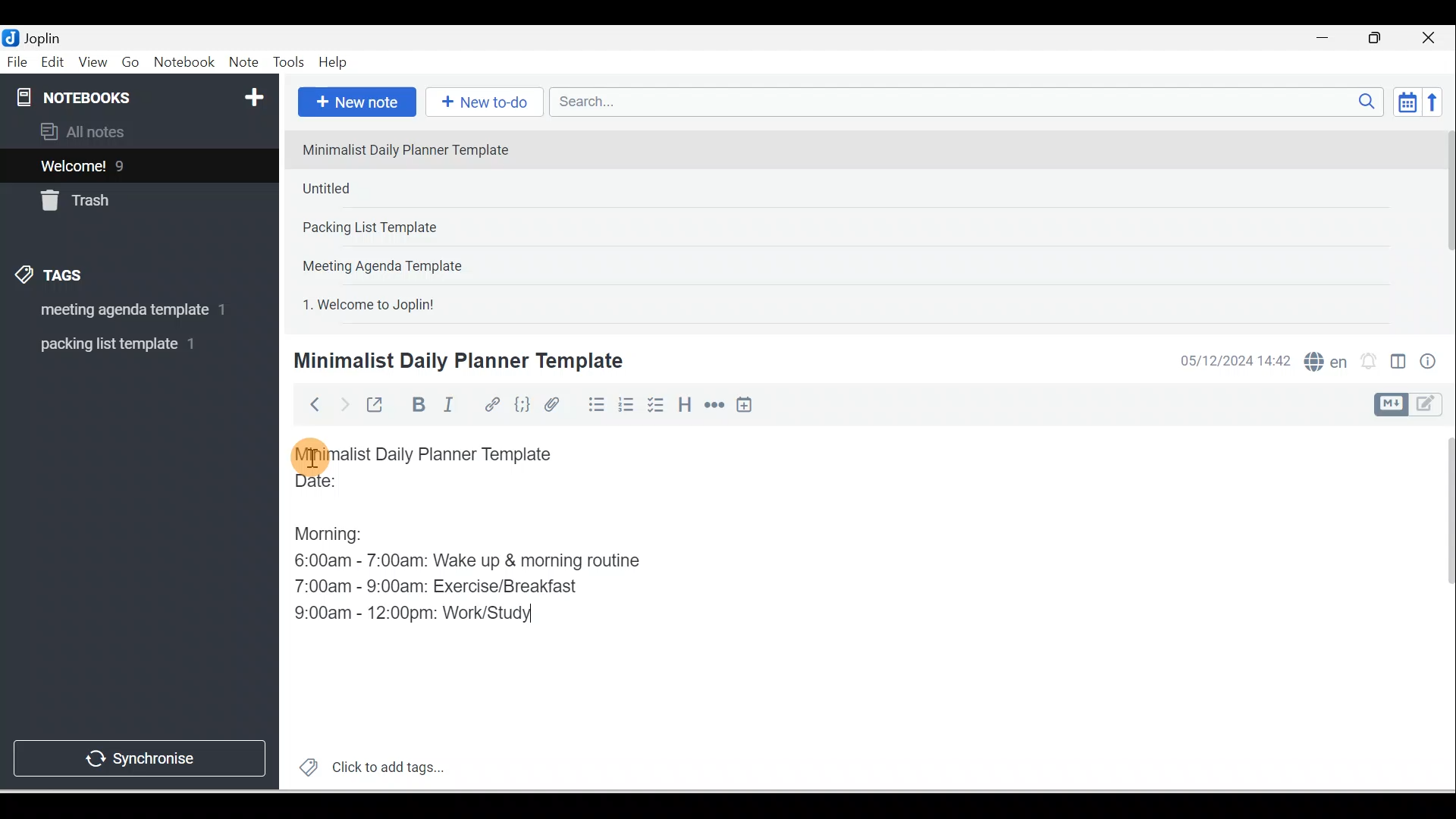  Describe the element at coordinates (377, 408) in the screenshot. I see `Toggle external editing` at that location.